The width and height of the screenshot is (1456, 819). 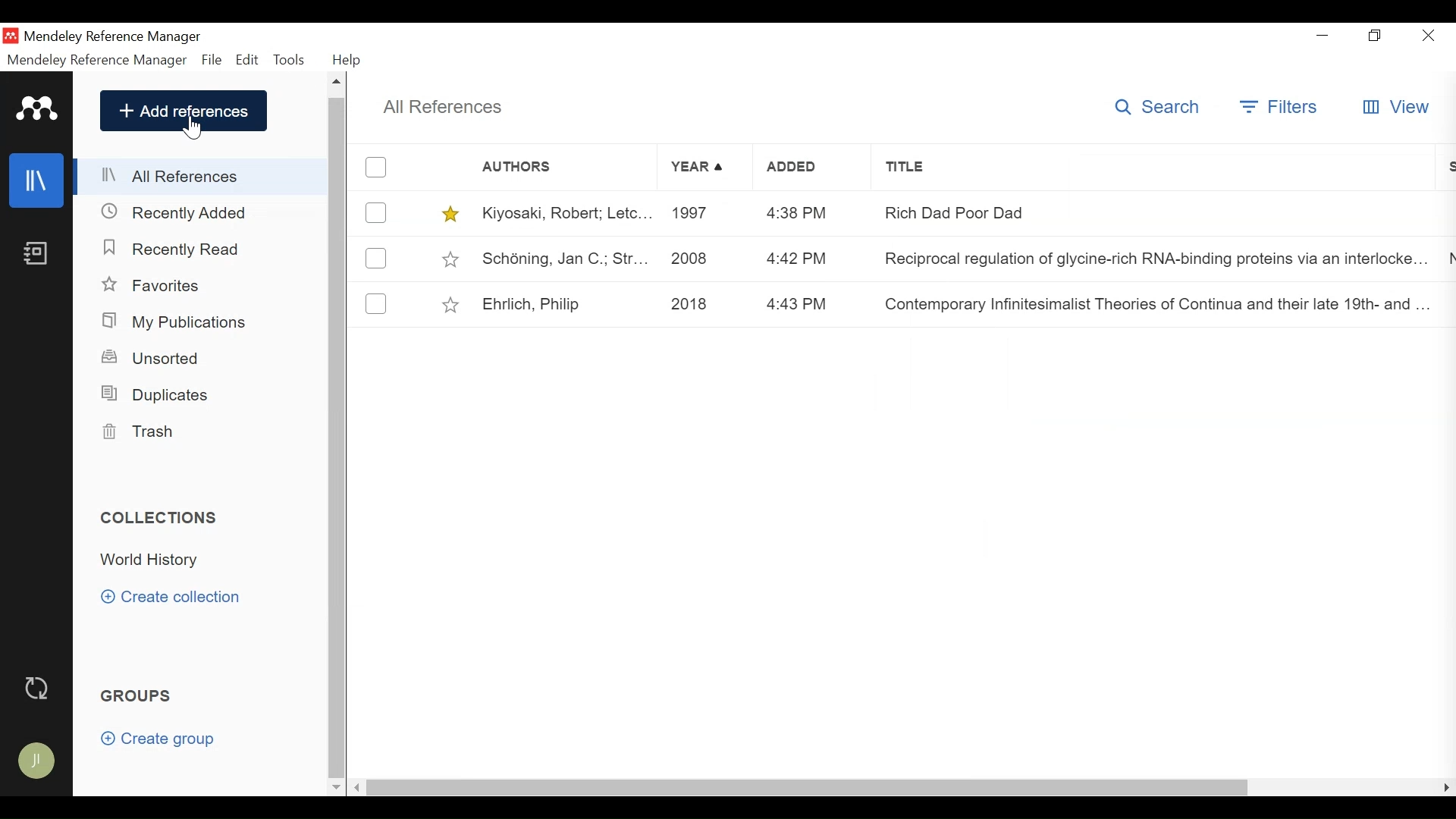 I want to click on 1997, so click(x=697, y=215).